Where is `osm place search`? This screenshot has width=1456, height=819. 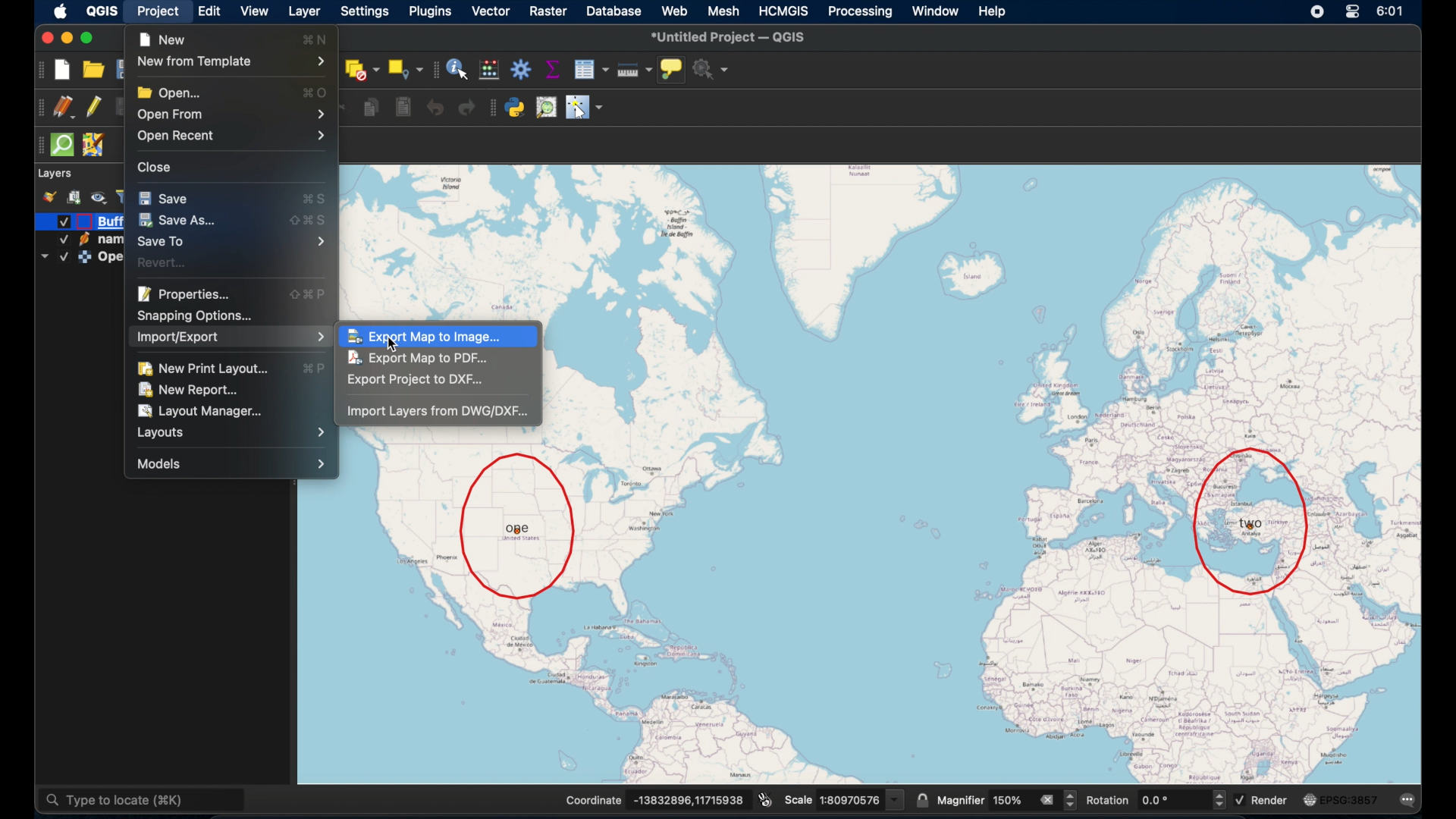 osm place search is located at coordinates (545, 108).